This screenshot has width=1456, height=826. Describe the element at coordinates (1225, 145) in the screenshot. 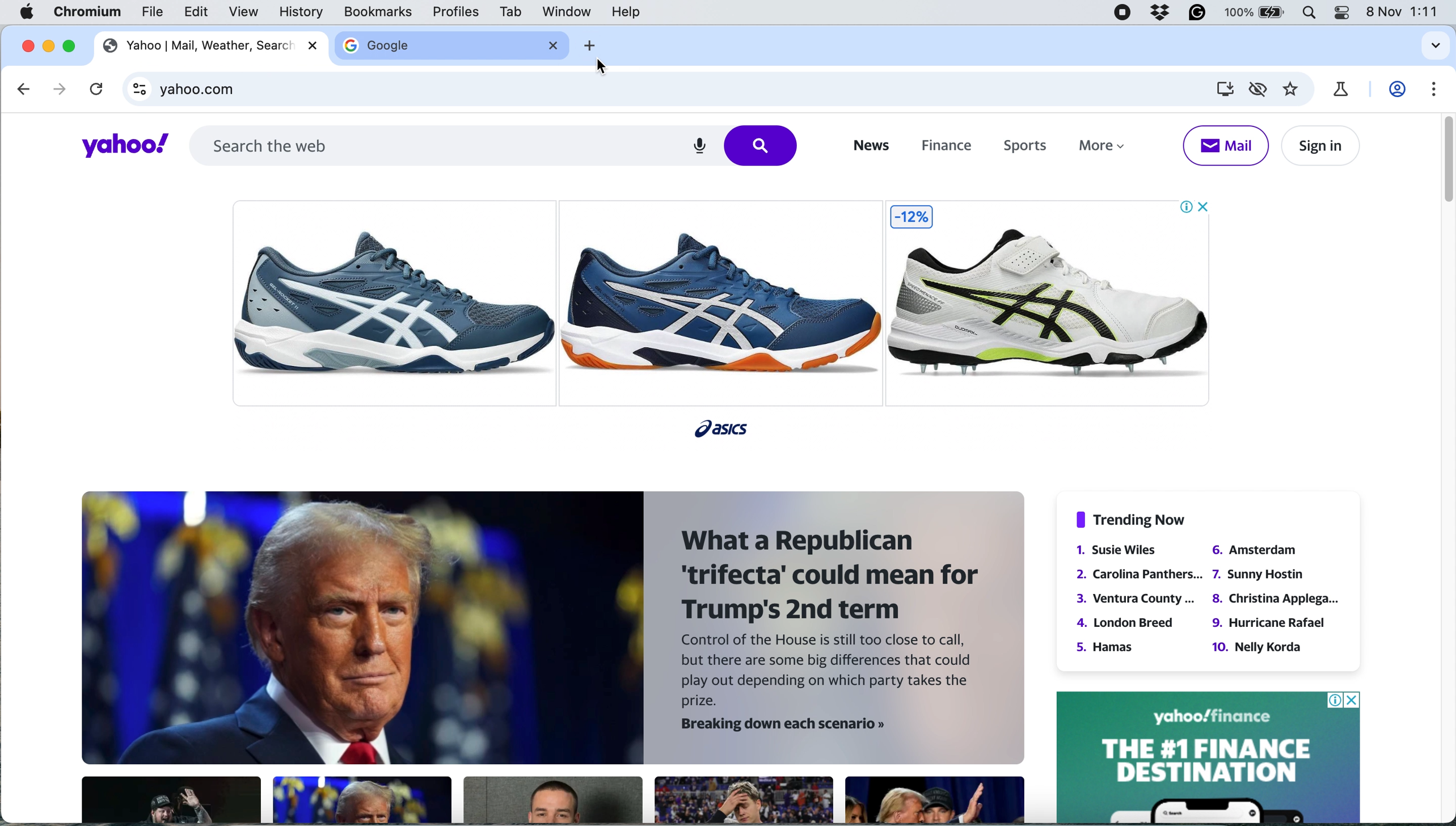

I see `mail` at that location.